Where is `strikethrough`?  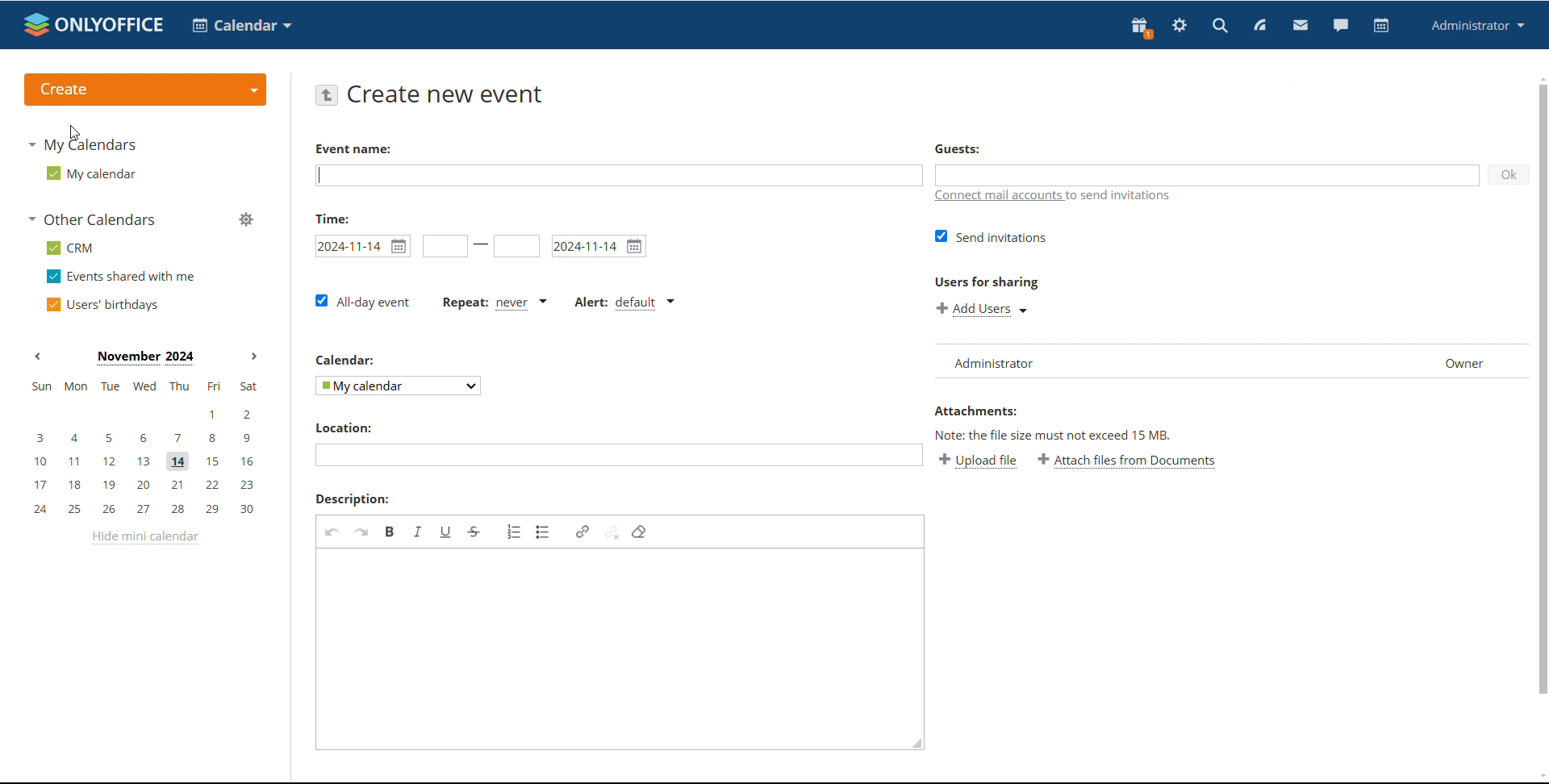
strikethrough is located at coordinates (474, 532).